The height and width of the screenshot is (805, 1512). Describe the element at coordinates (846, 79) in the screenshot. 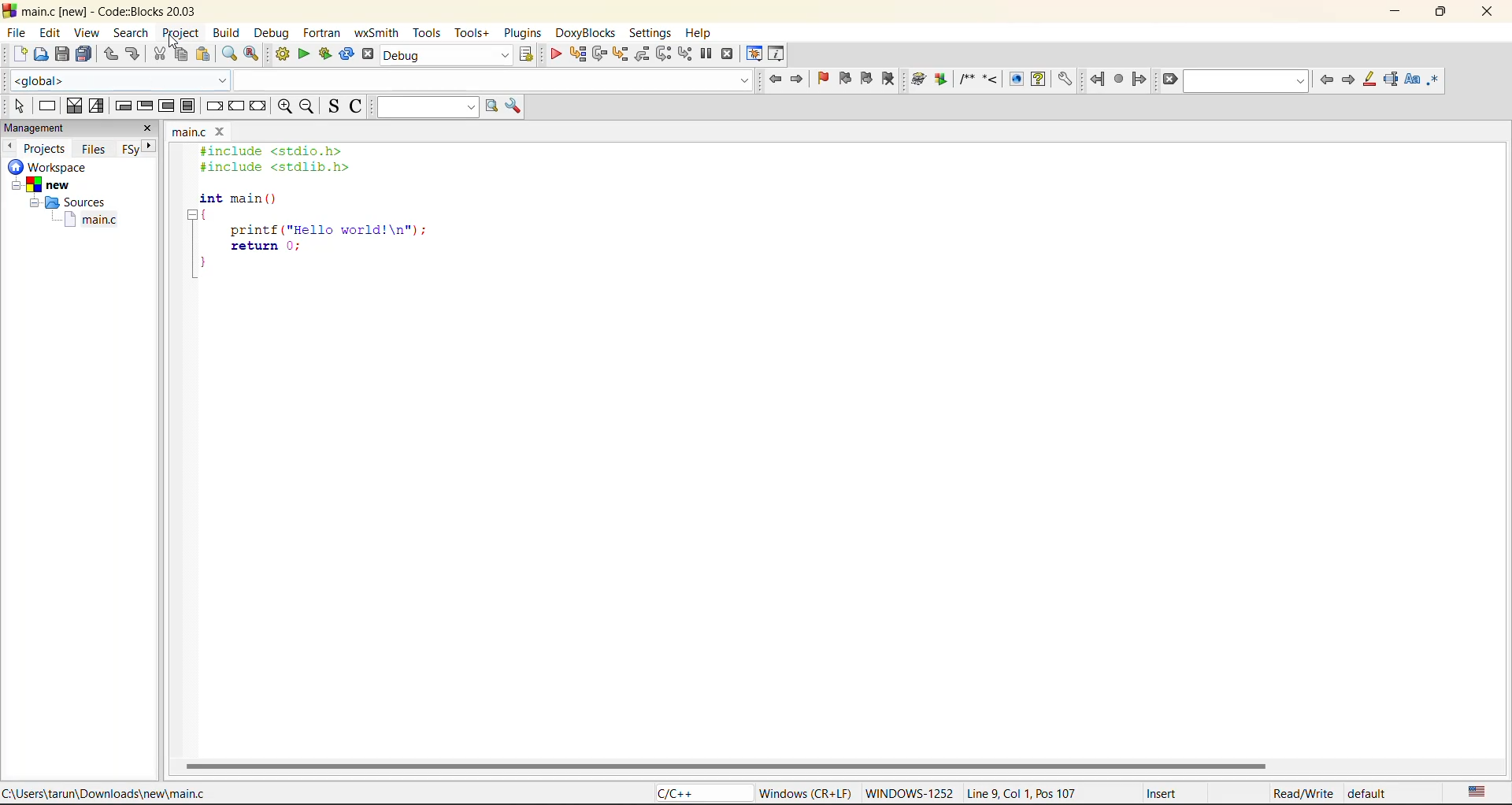

I see `previous bookmark` at that location.